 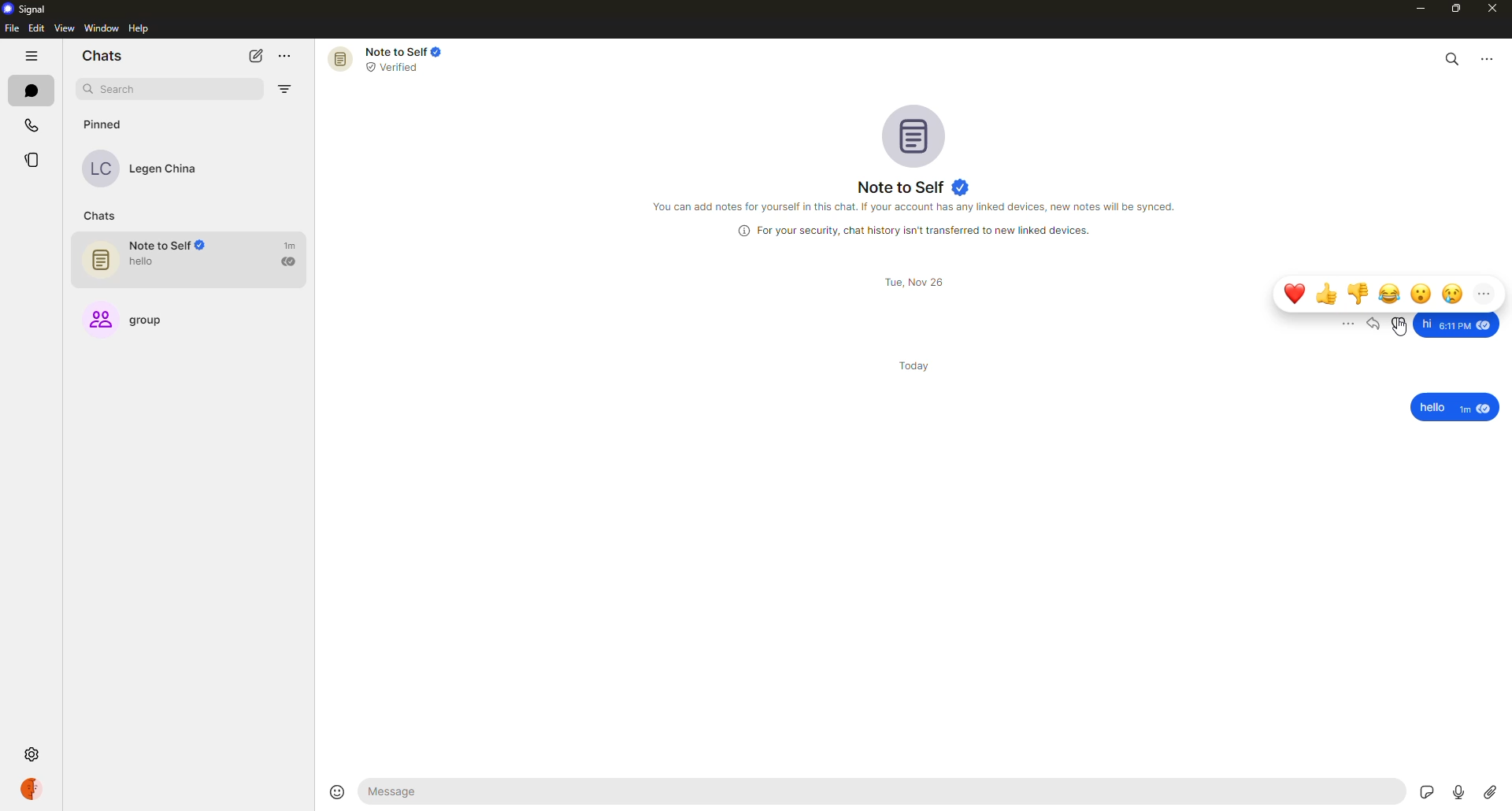 What do you see at coordinates (134, 314) in the screenshot?
I see `group` at bounding box center [134, 314].